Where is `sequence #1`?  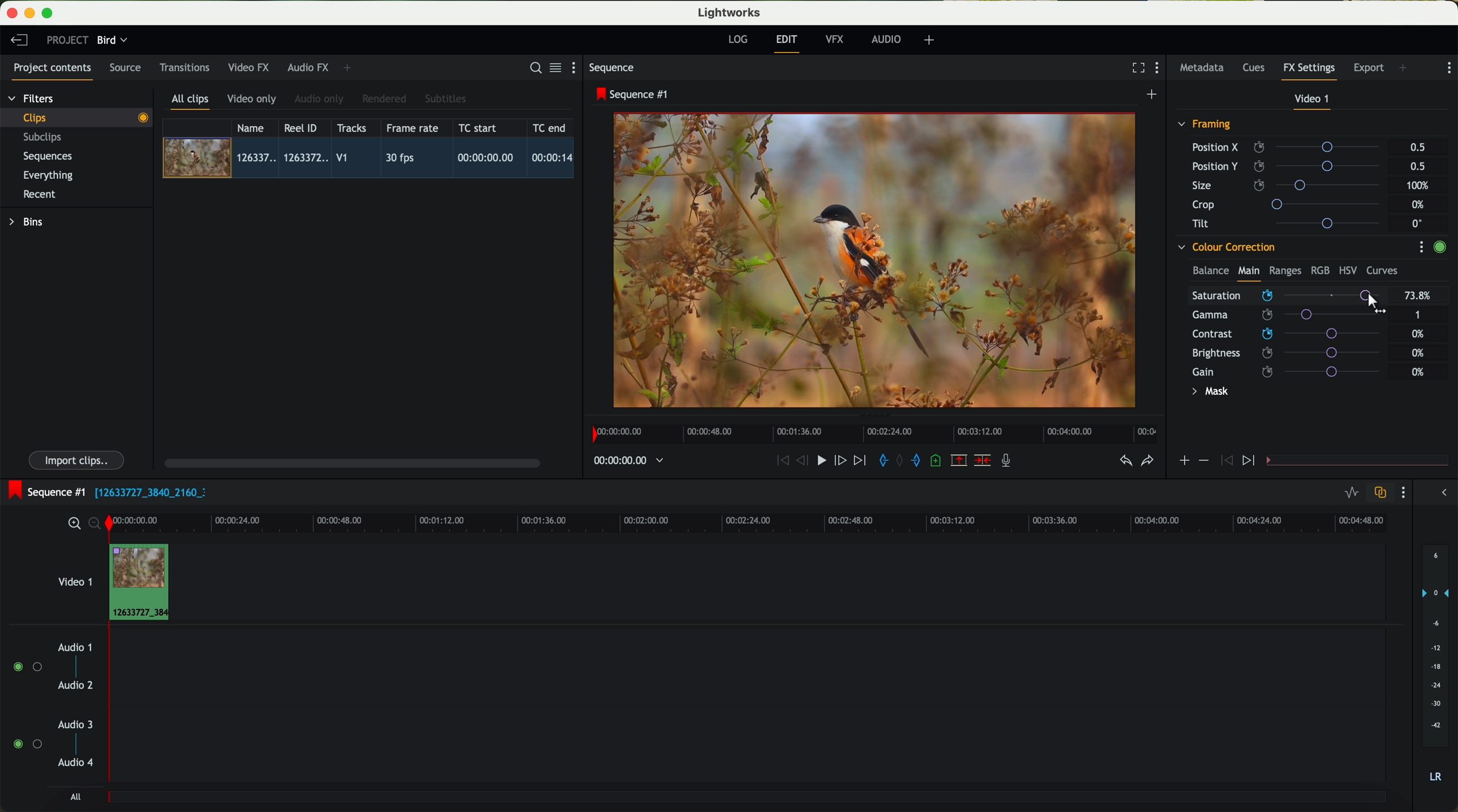 sequence #1 is located at coordinates (44, 492).